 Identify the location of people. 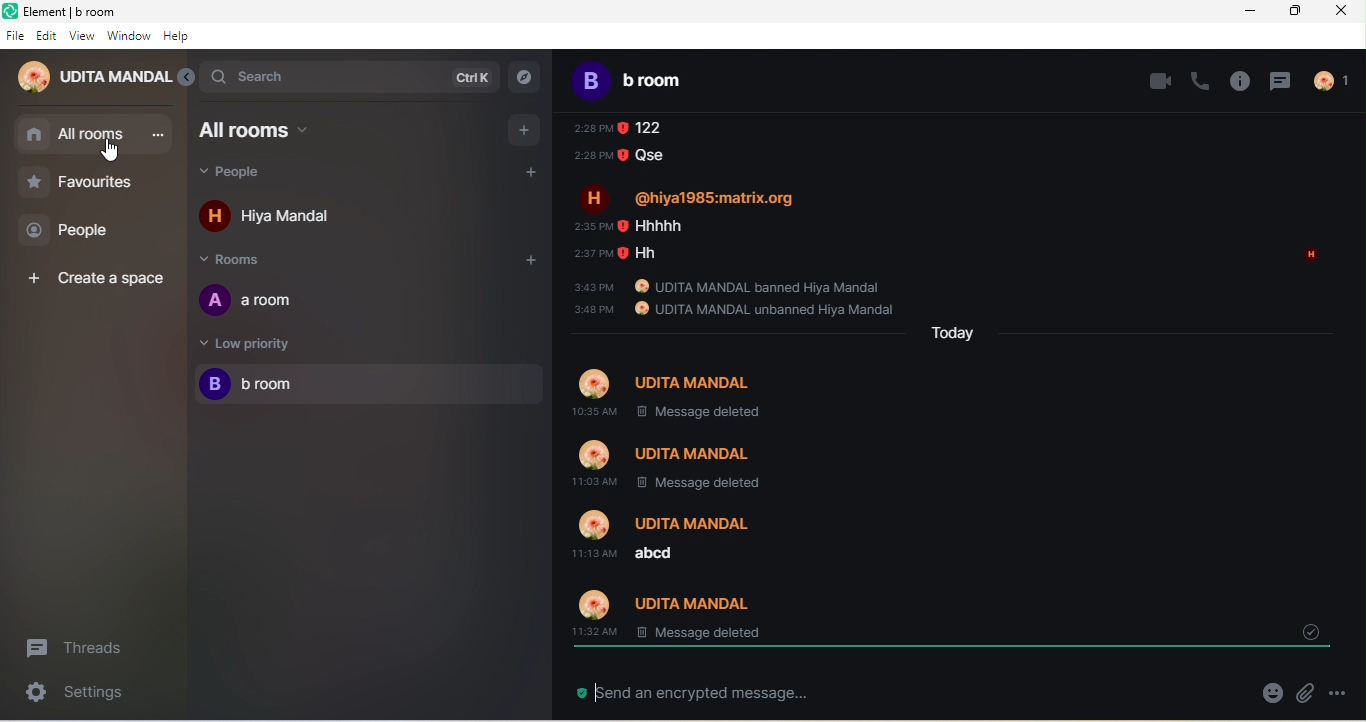
(1338, 80).